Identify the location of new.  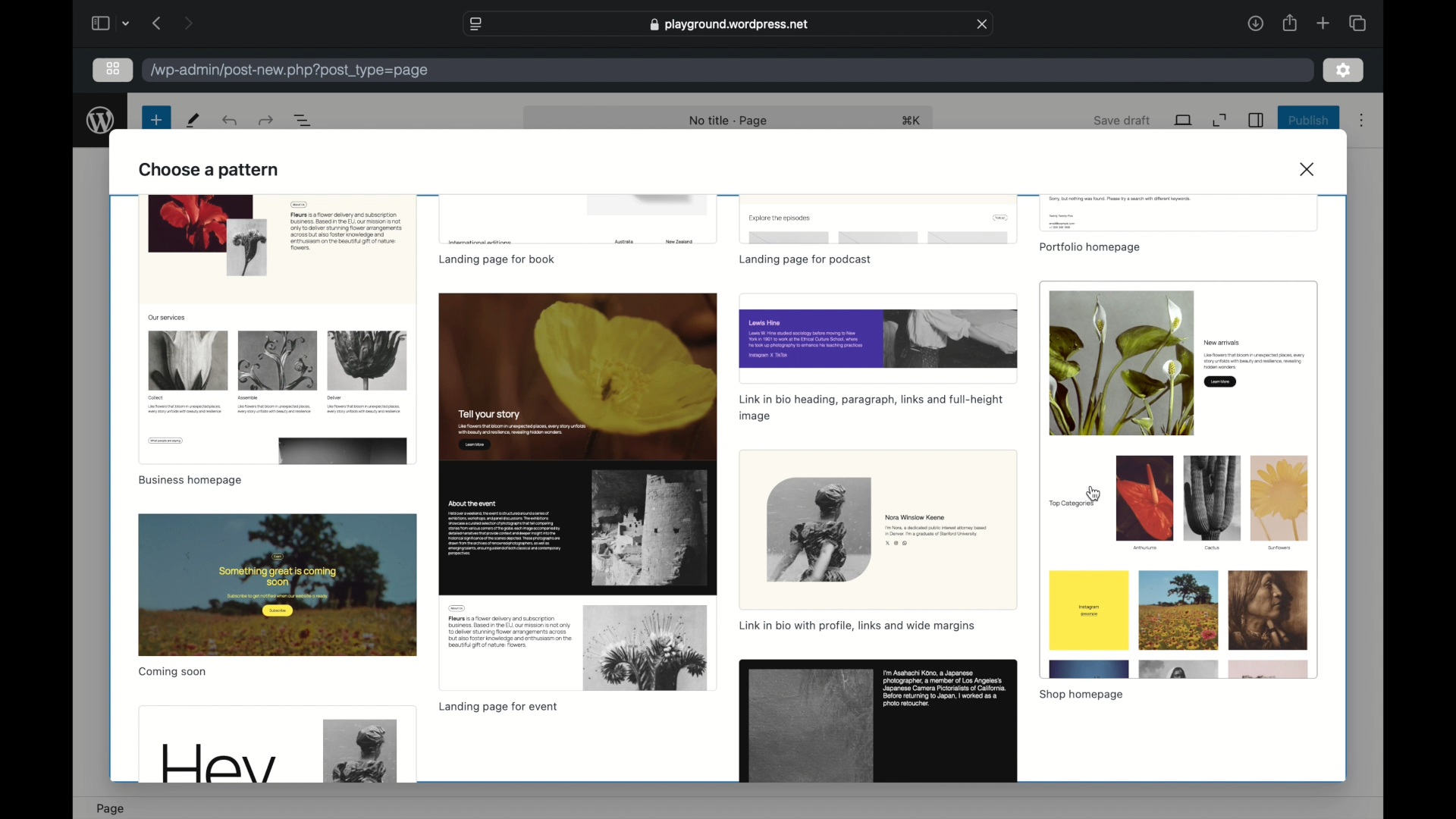
(155, 120).